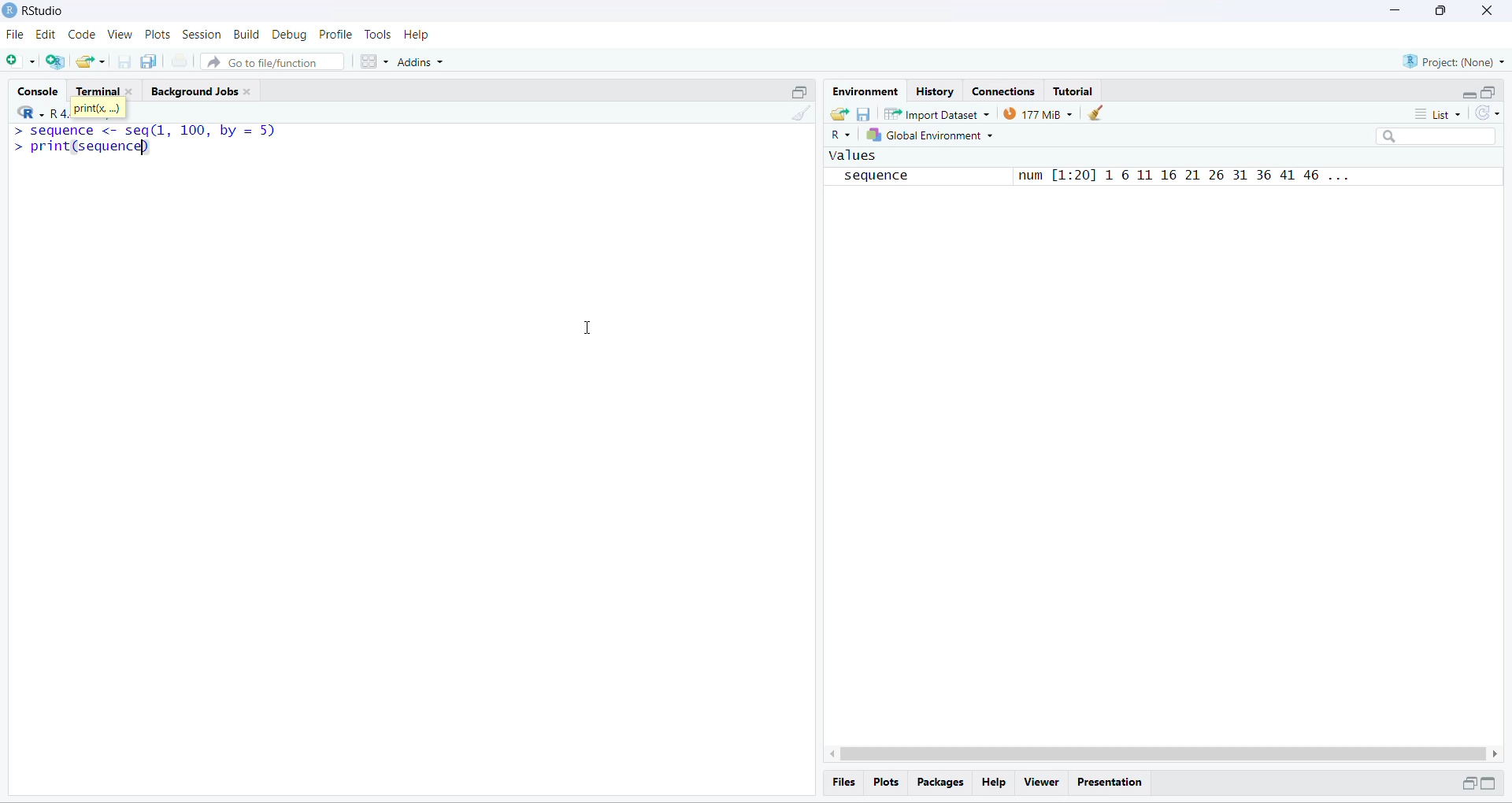  I want to click on values, so click(854, 155).